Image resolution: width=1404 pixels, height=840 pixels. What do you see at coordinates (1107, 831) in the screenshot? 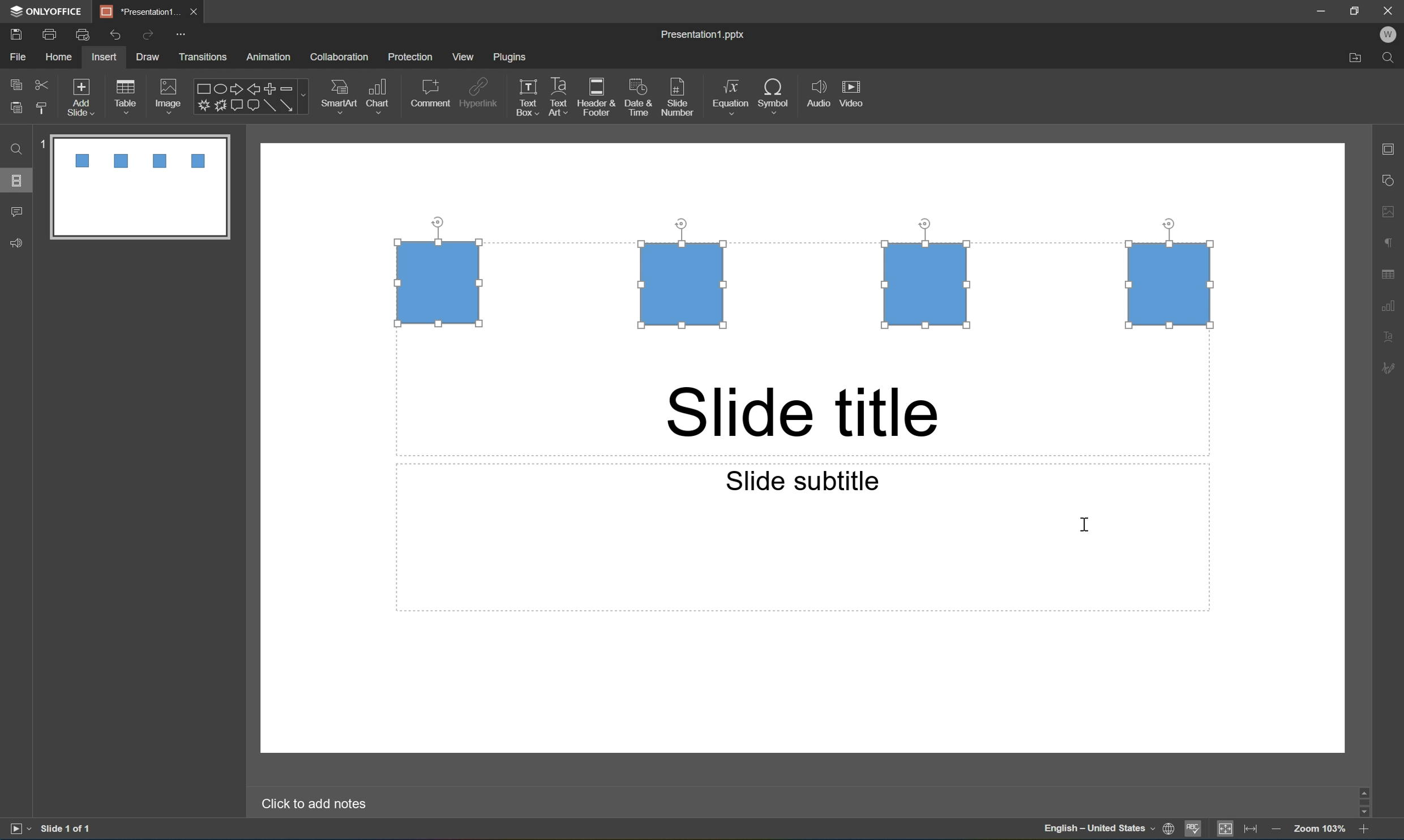
I see `set document language` at bounding box center [1107, 831].